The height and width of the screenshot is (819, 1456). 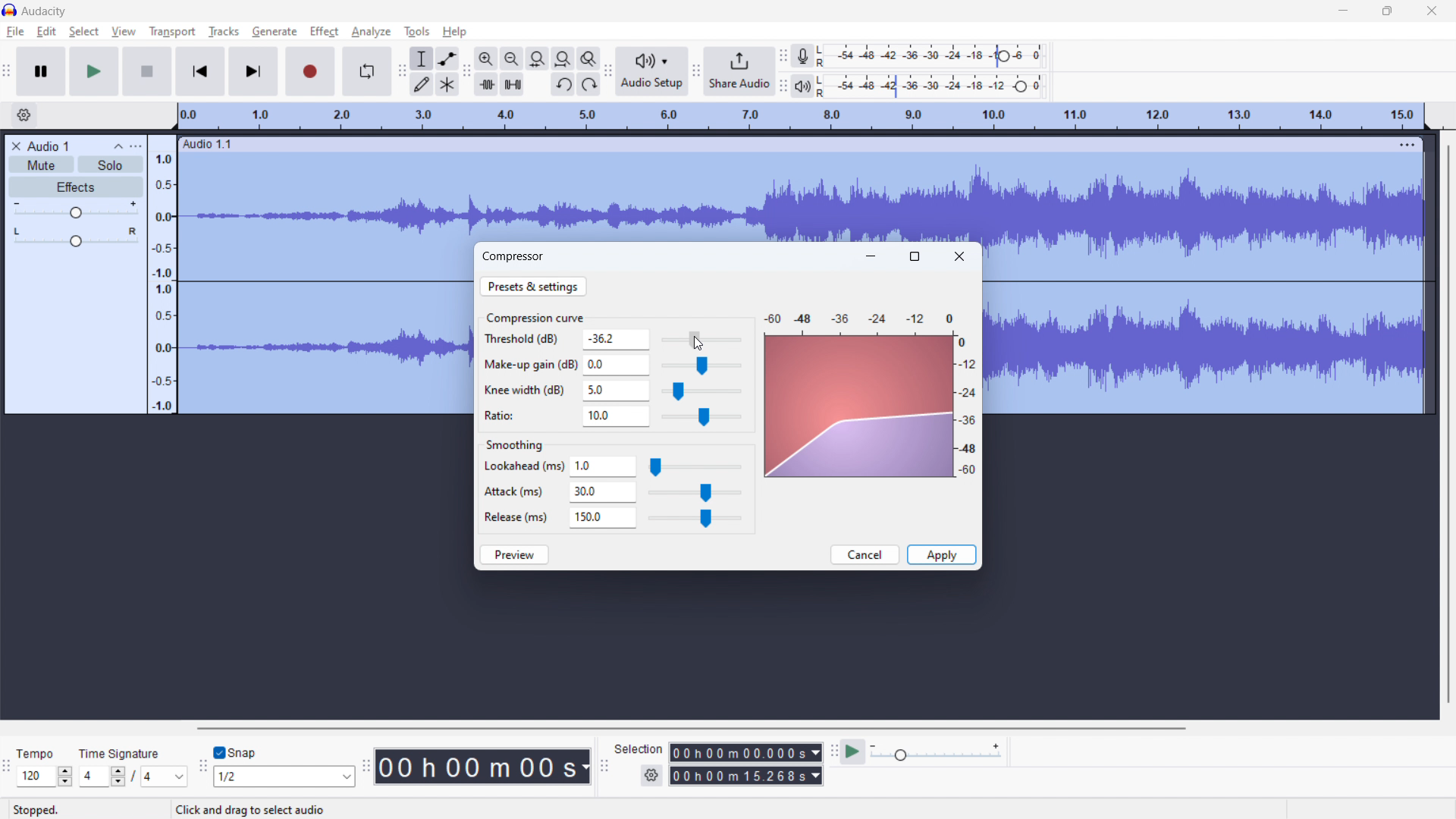 What do you see at coordinates (603, 493) in the screenshot?
I see `30.0` at bounding box center [603, 493].